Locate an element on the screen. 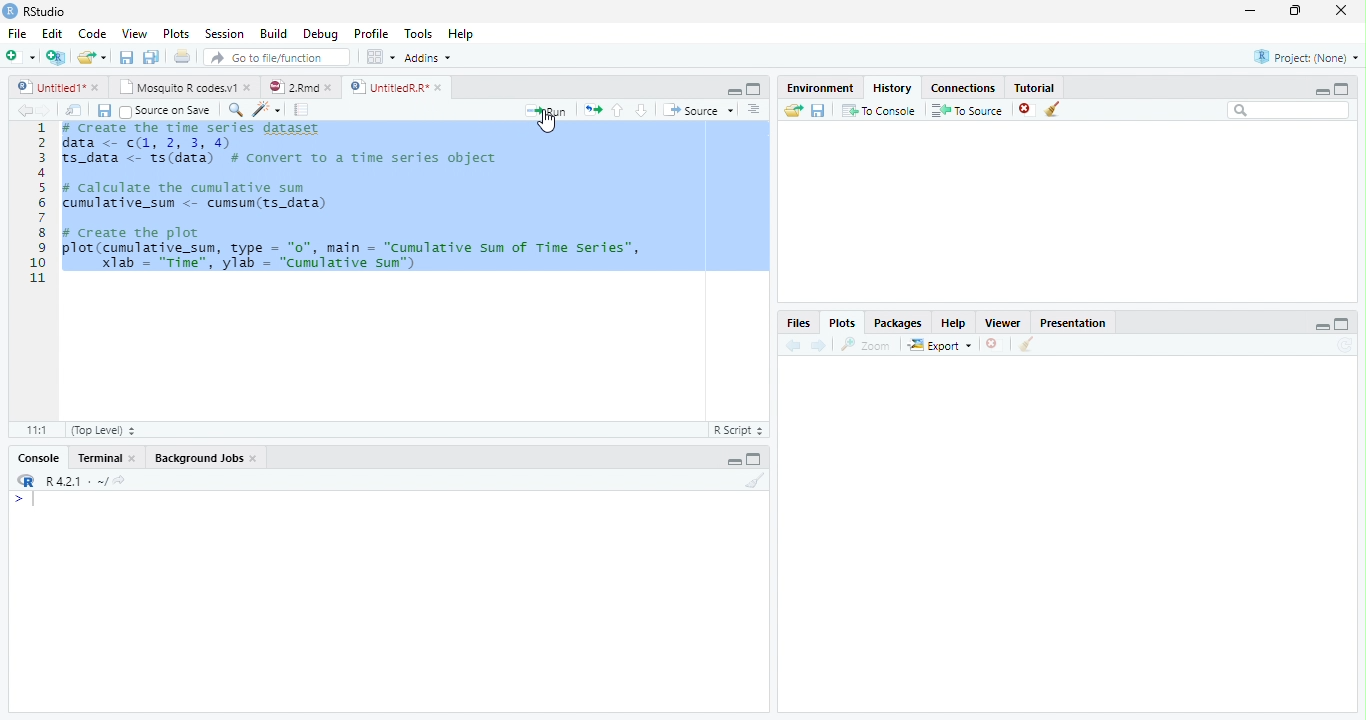 The height and width of the screenshot is (720, 1366). Source on save is located at coordinates (167, 112).